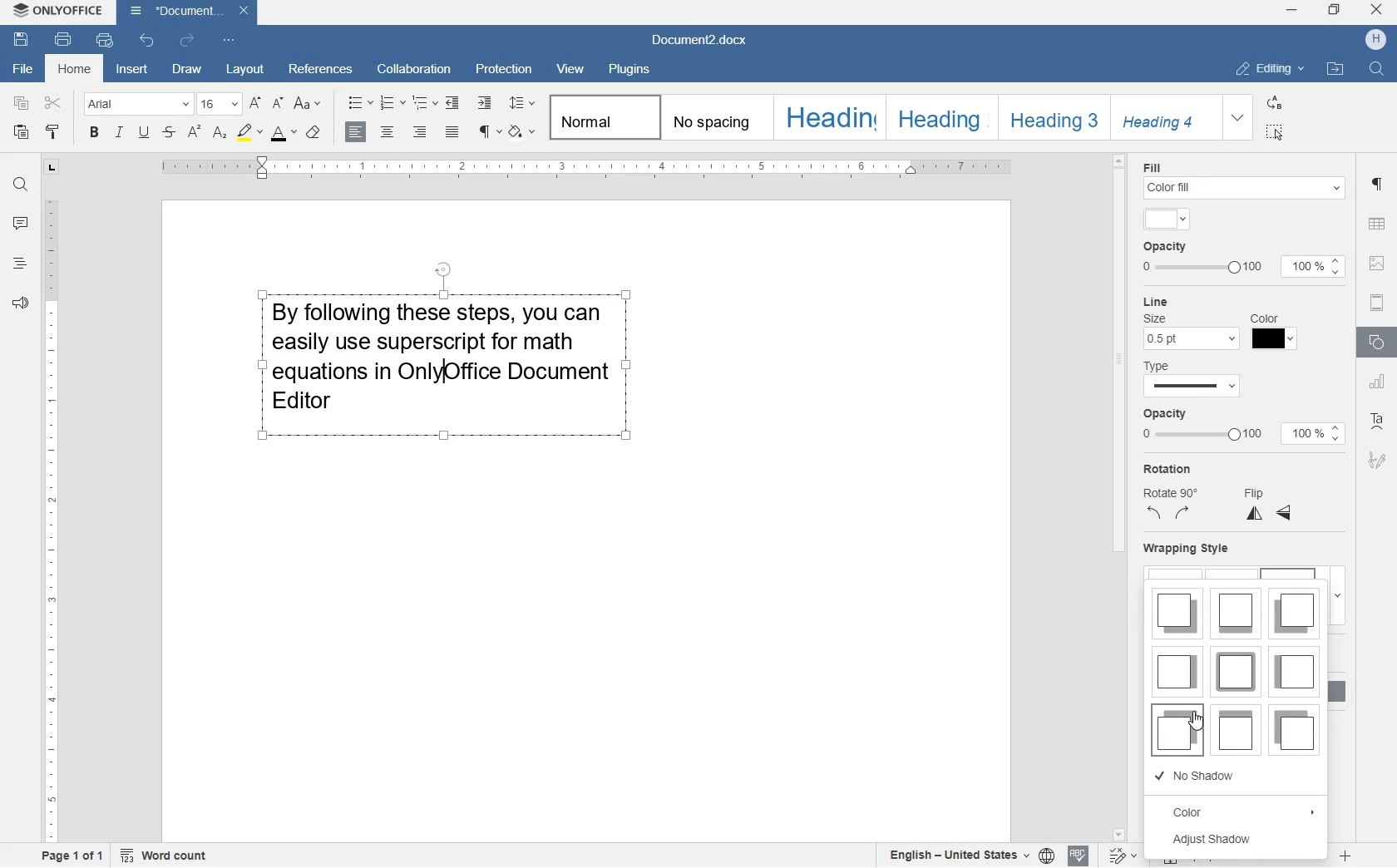 This screenshot has height=868, width=1397. Describe the element at coordinates (52, 103) in the screenshot. I see `cut` at that location.